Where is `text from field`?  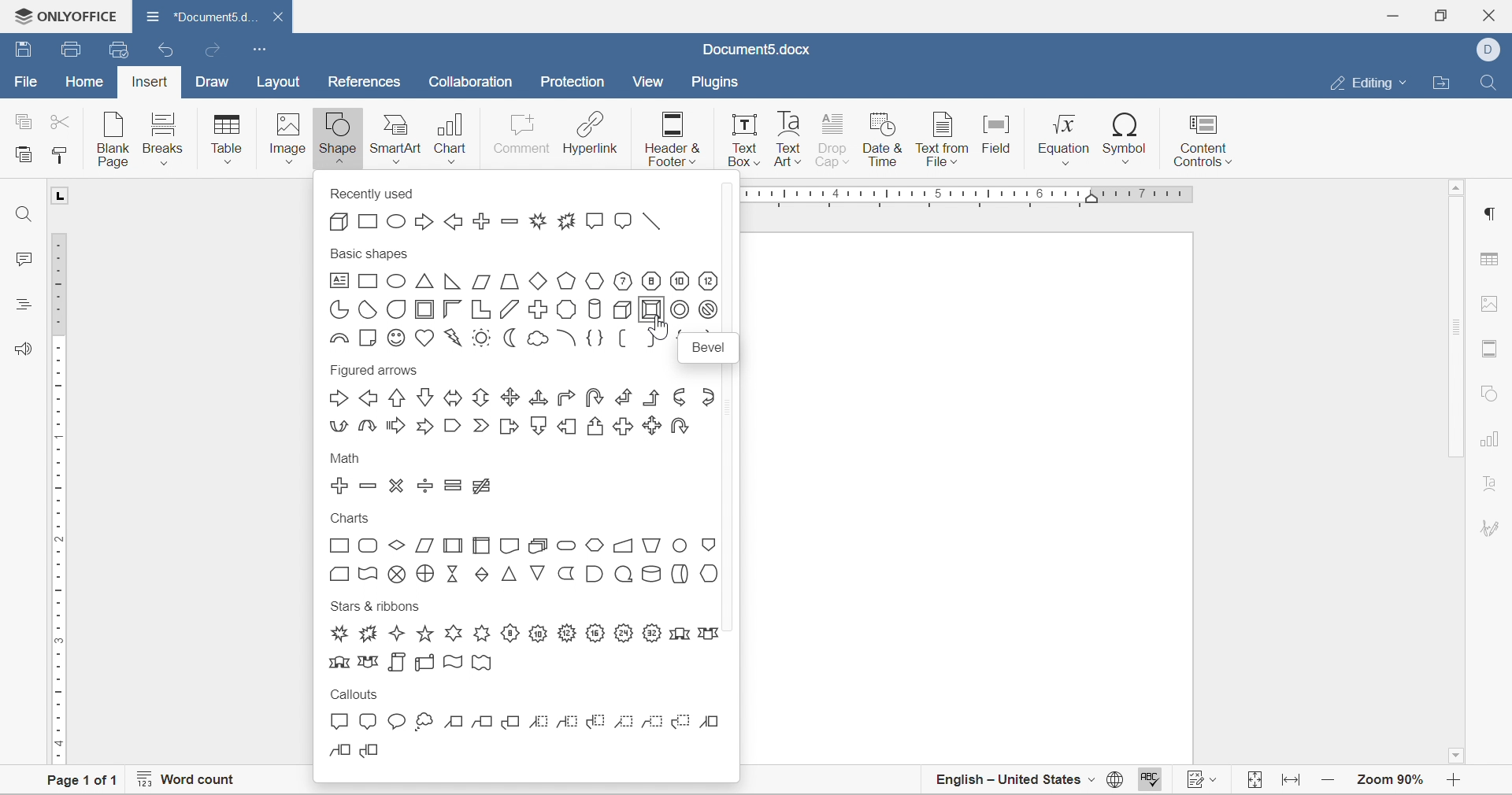 text from field is located at coordinates (943, 139).